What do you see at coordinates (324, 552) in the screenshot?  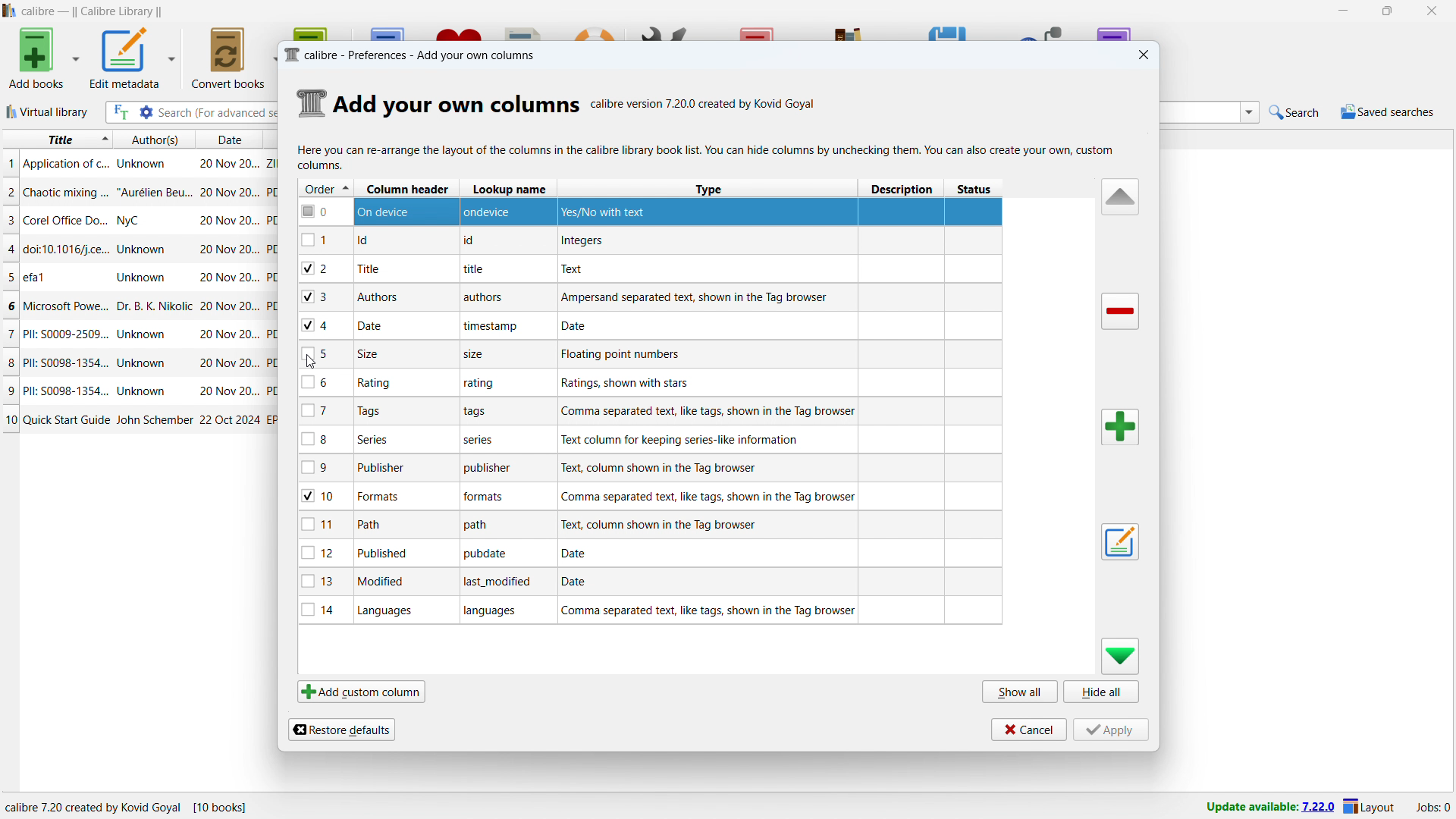 I see `12` at bounding box center [324, 552].